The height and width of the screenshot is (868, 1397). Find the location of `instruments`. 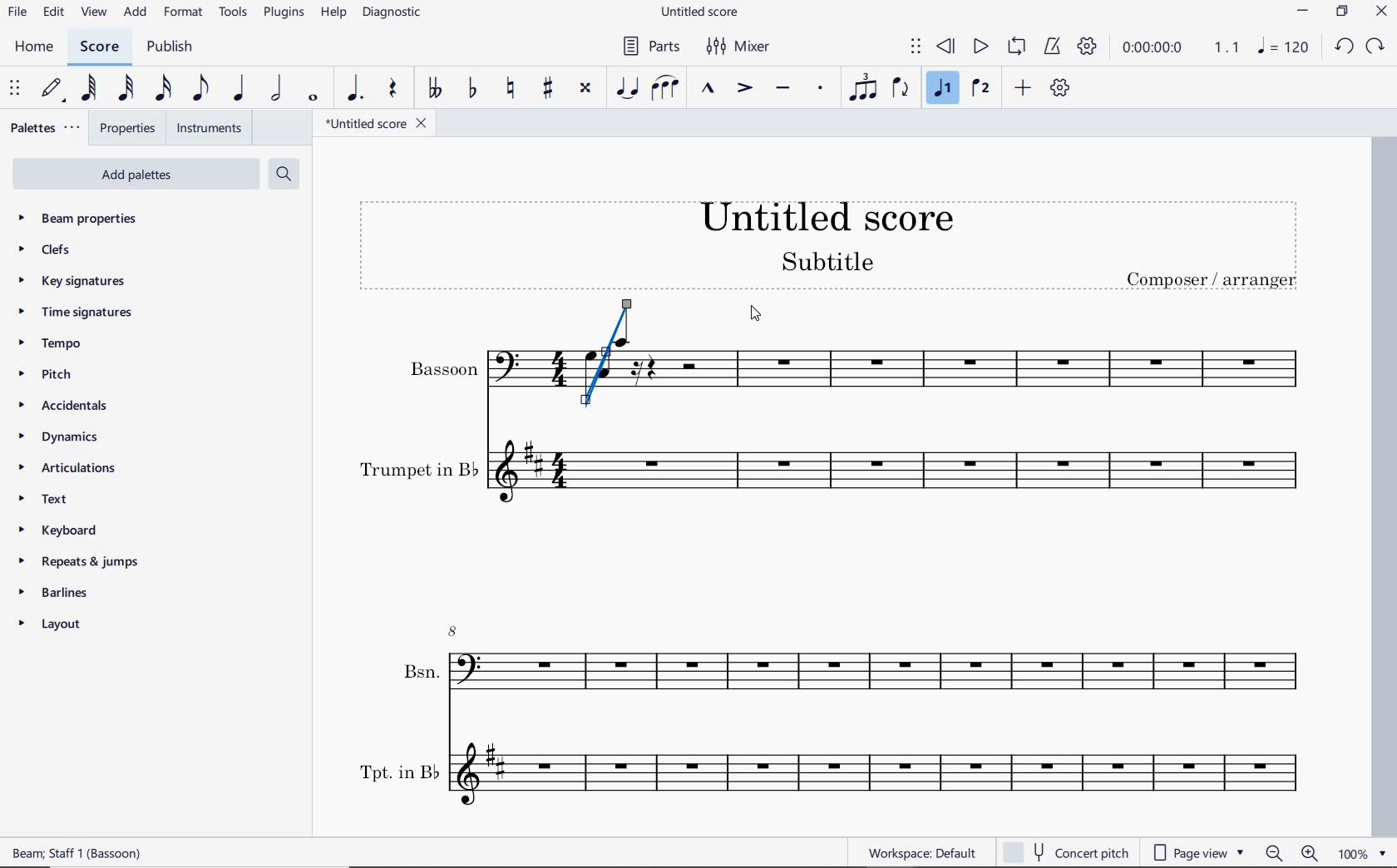

instruments is located at coordinates (210, 128).